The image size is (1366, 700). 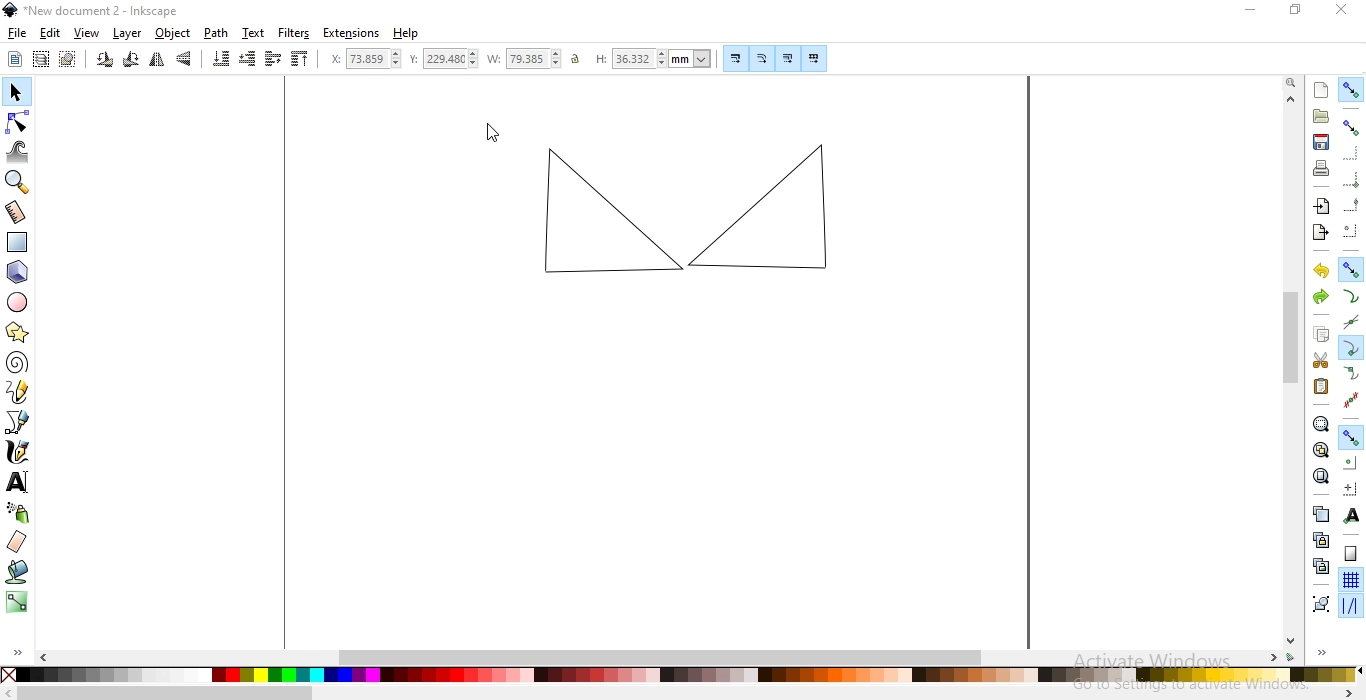 What do you see at coordinates (1351, 580) in the screenshot?
I see `snap to grids` at bounding box center [1351, 580].